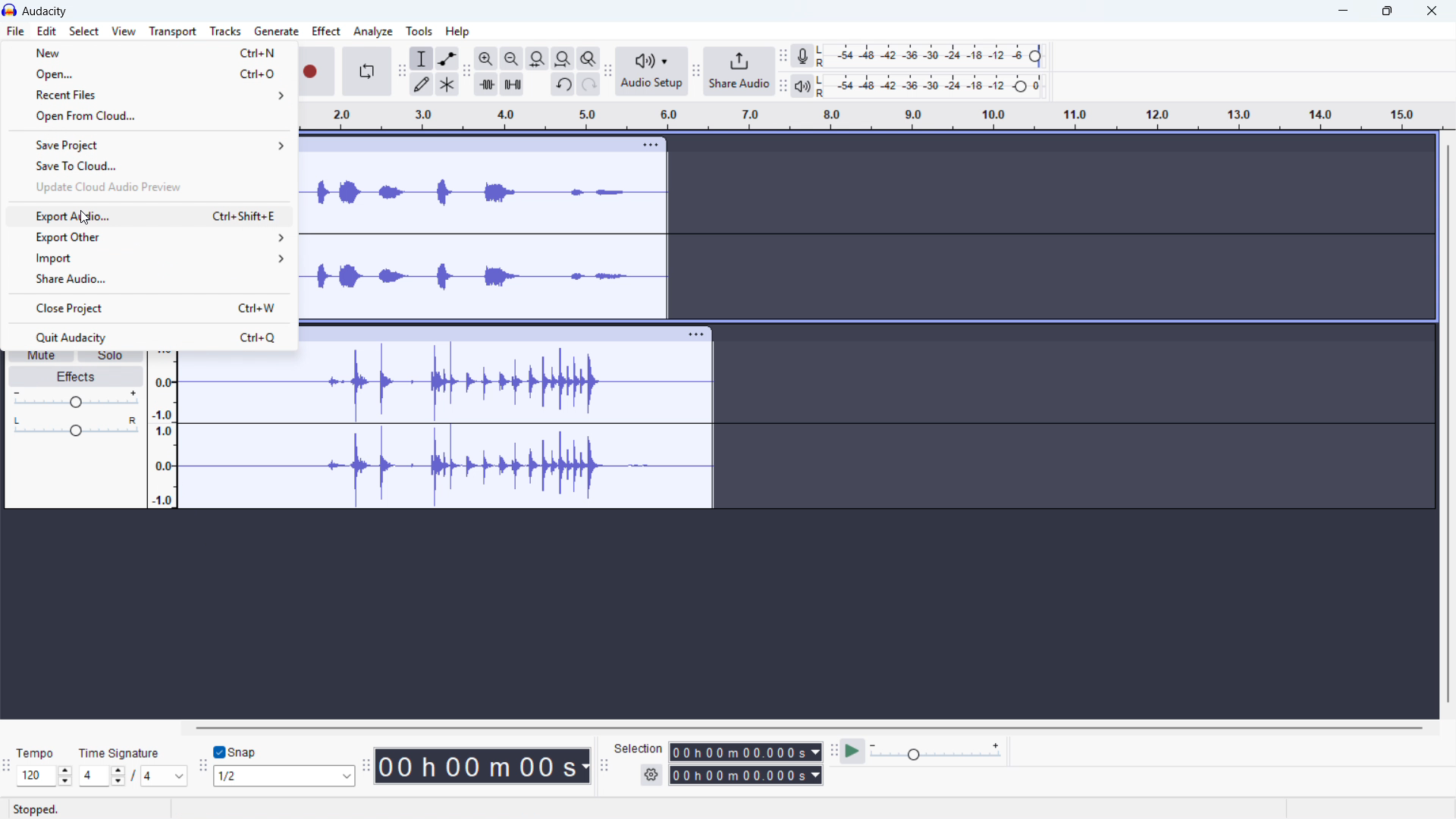  Describe the element at coordinates (651, 775) in the screenshot. I see `Selection settings` at that location.